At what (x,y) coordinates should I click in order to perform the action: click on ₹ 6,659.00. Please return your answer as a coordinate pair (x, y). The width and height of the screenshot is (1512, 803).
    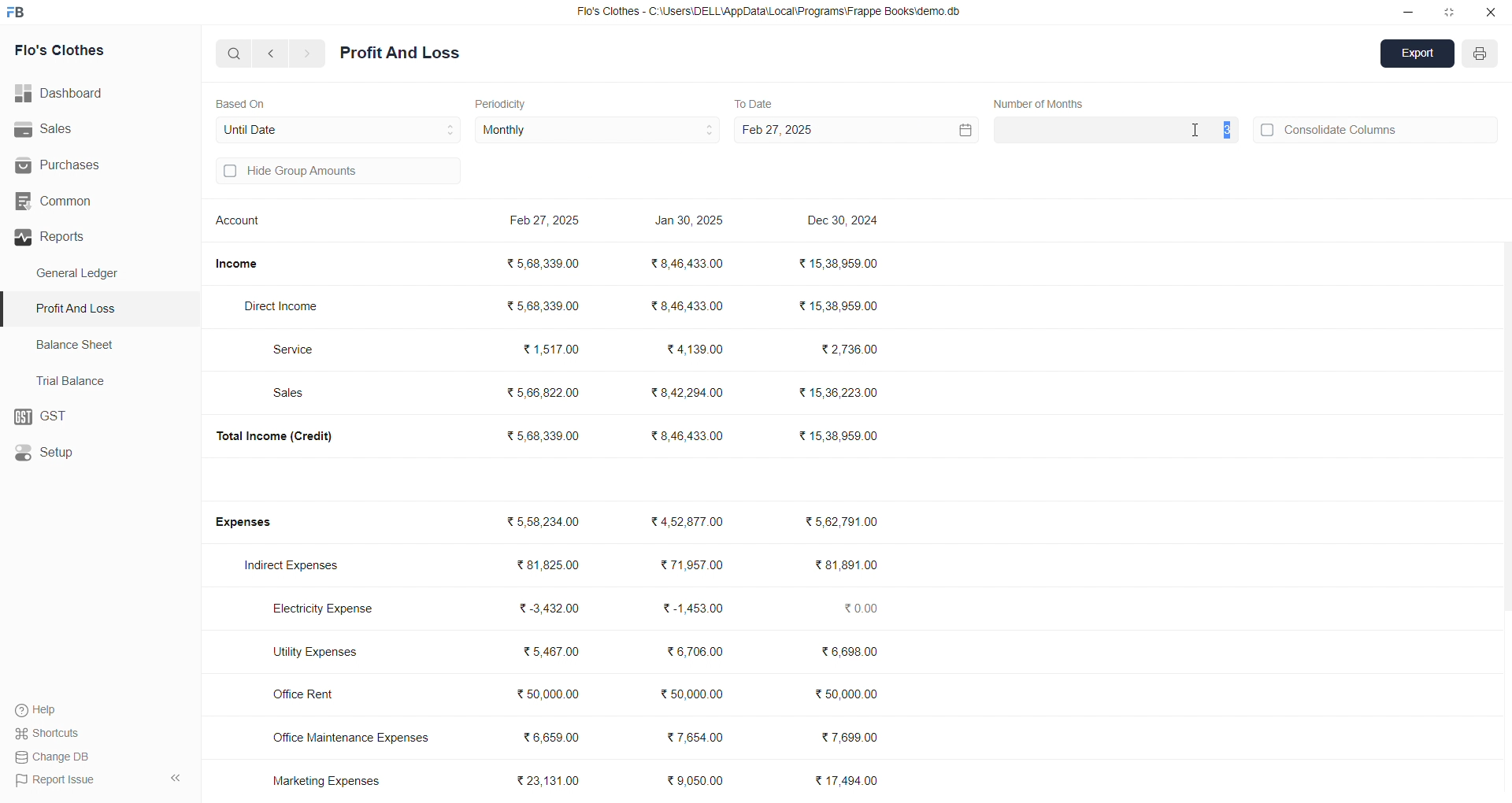
    Looking at the image, I should click on (558, 735).